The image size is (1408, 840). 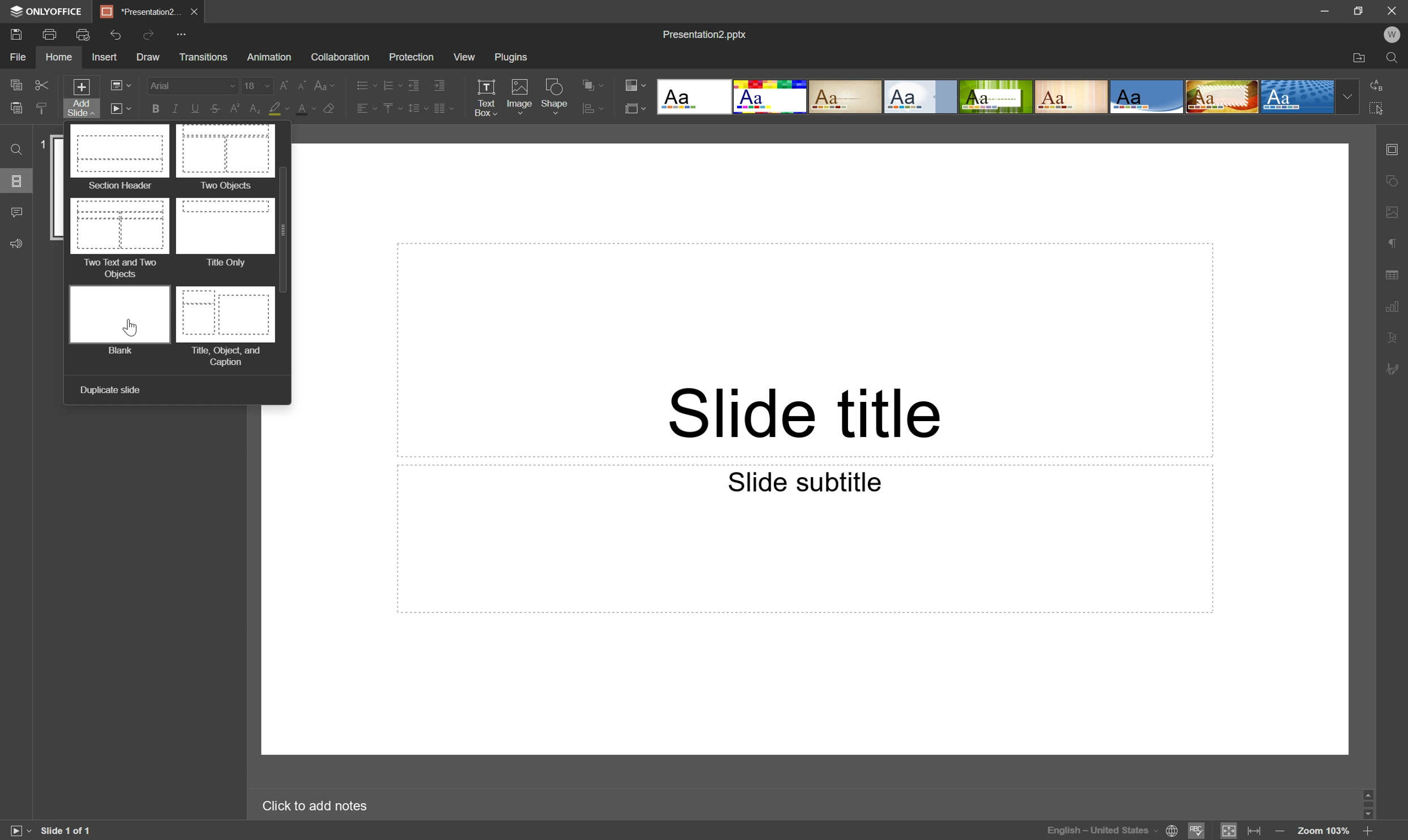 What do you see at coordinates (1256, 832) in the screenshot?
I see `Fit to width` at bounding box center [1256, 832].